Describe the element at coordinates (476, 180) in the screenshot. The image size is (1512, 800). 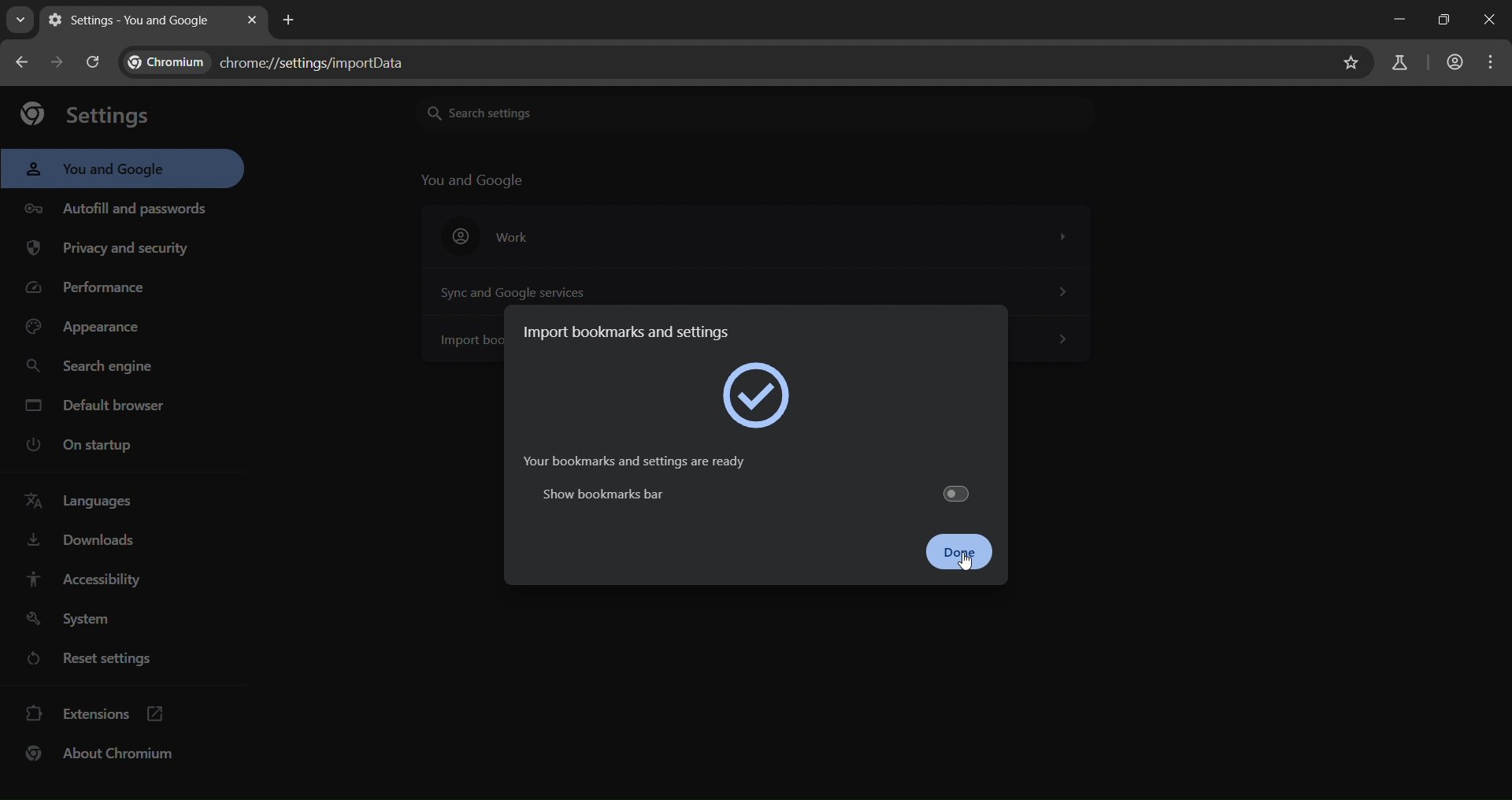
I see `You and Google` at that location.